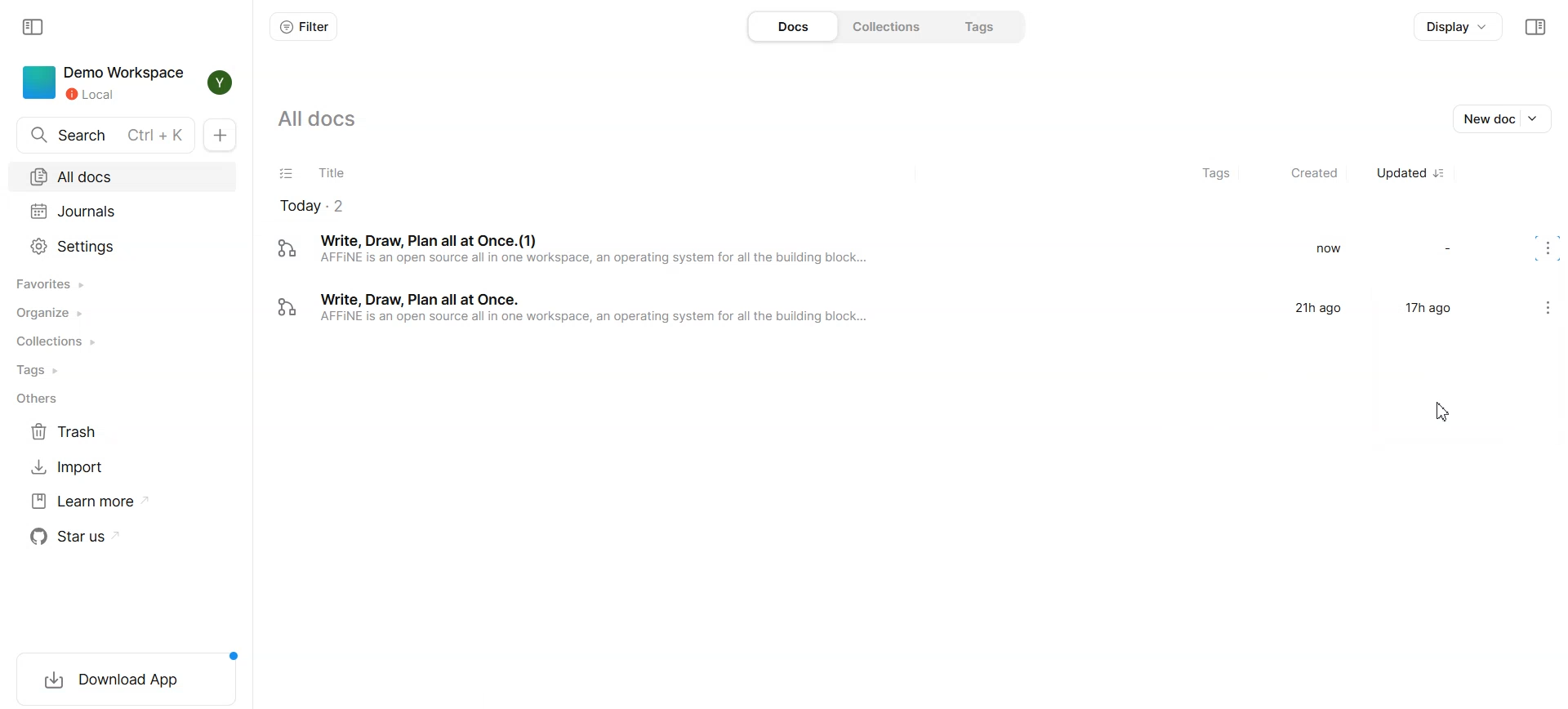  I want to click on Organize, so click(122, 313).